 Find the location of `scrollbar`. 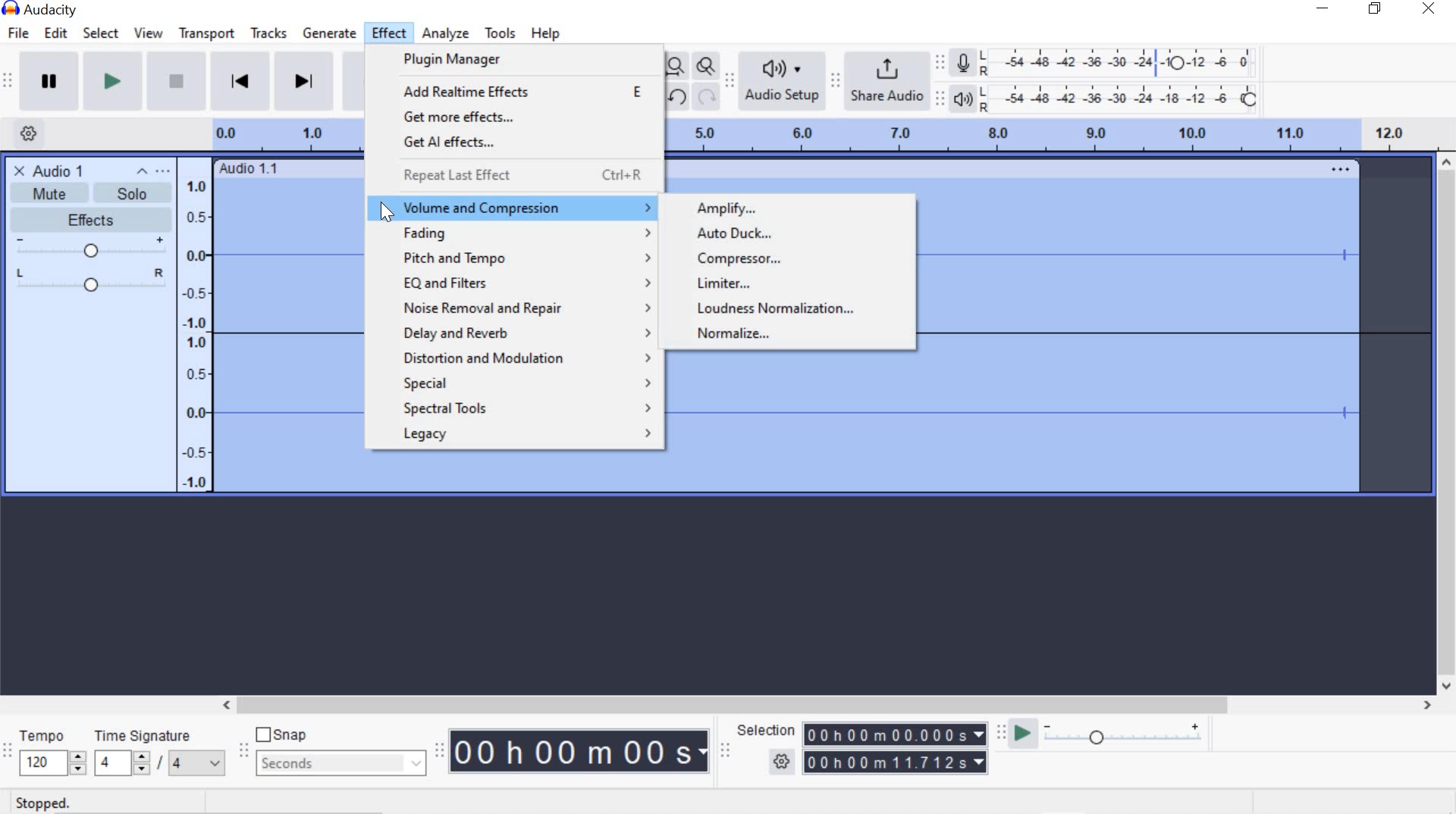

scrollbar is located at coordinates (824, 703).